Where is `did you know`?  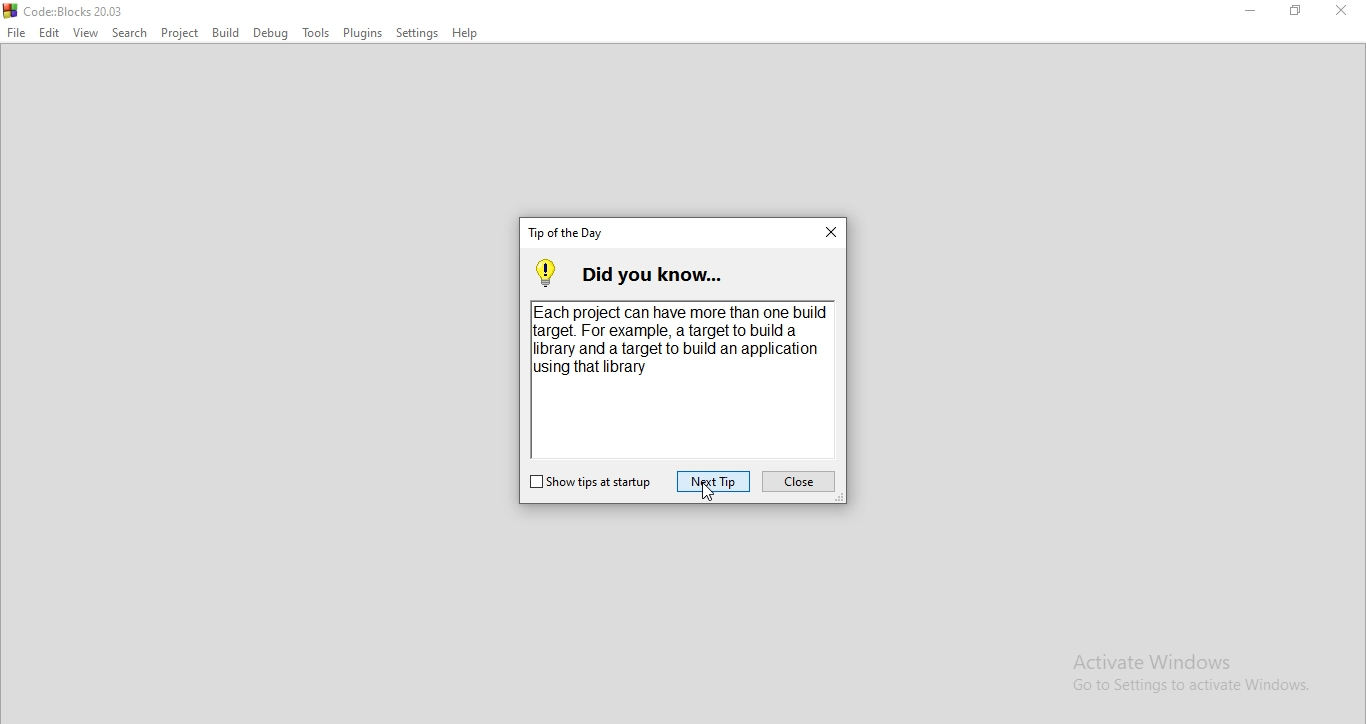
did you know is located at coordinates (676, 273).